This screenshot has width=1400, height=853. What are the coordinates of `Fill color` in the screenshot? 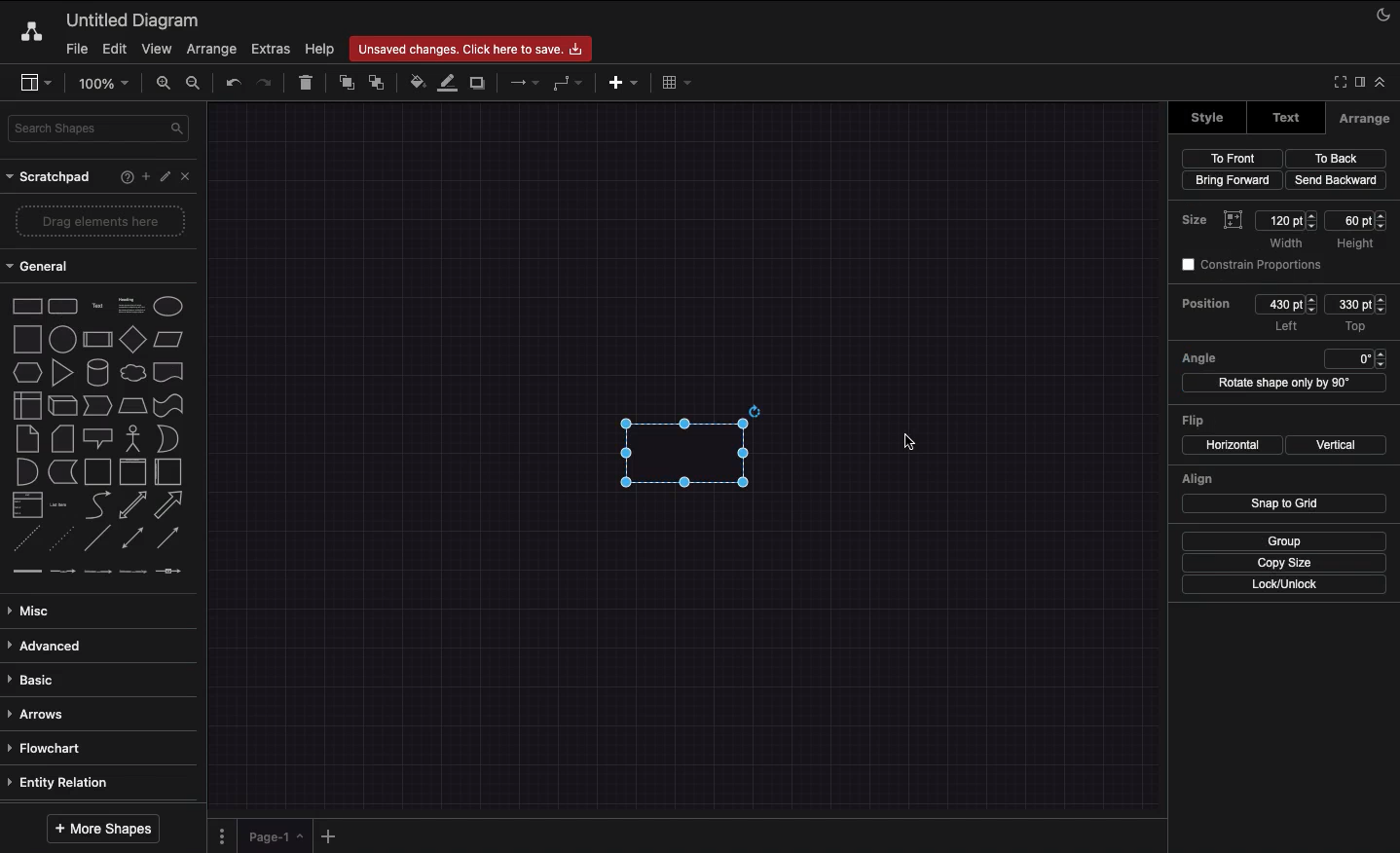 It's located at (414, 86).